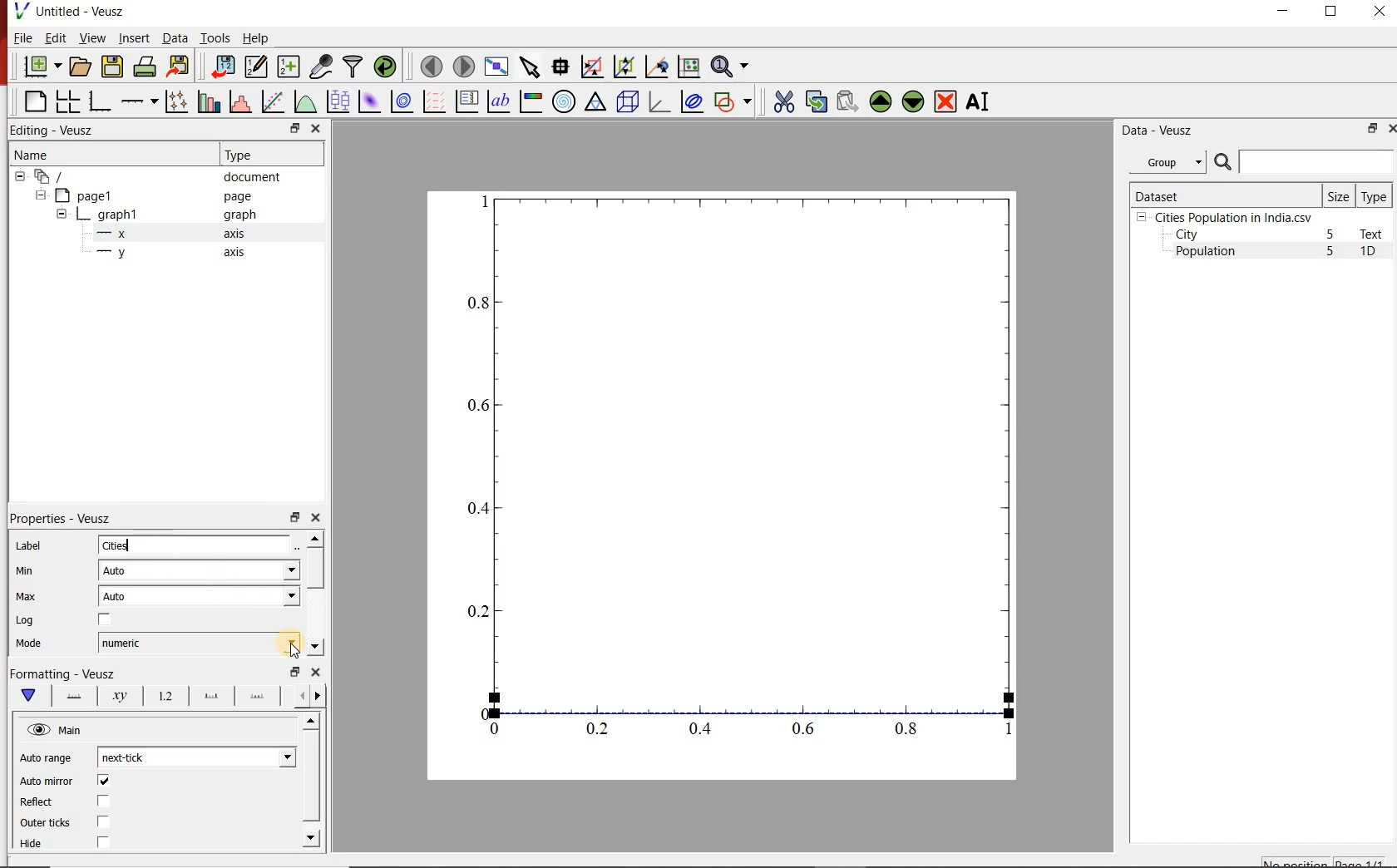 This screenshot has width=1397, height=868. I want to click on save the document, so click(112, 65).